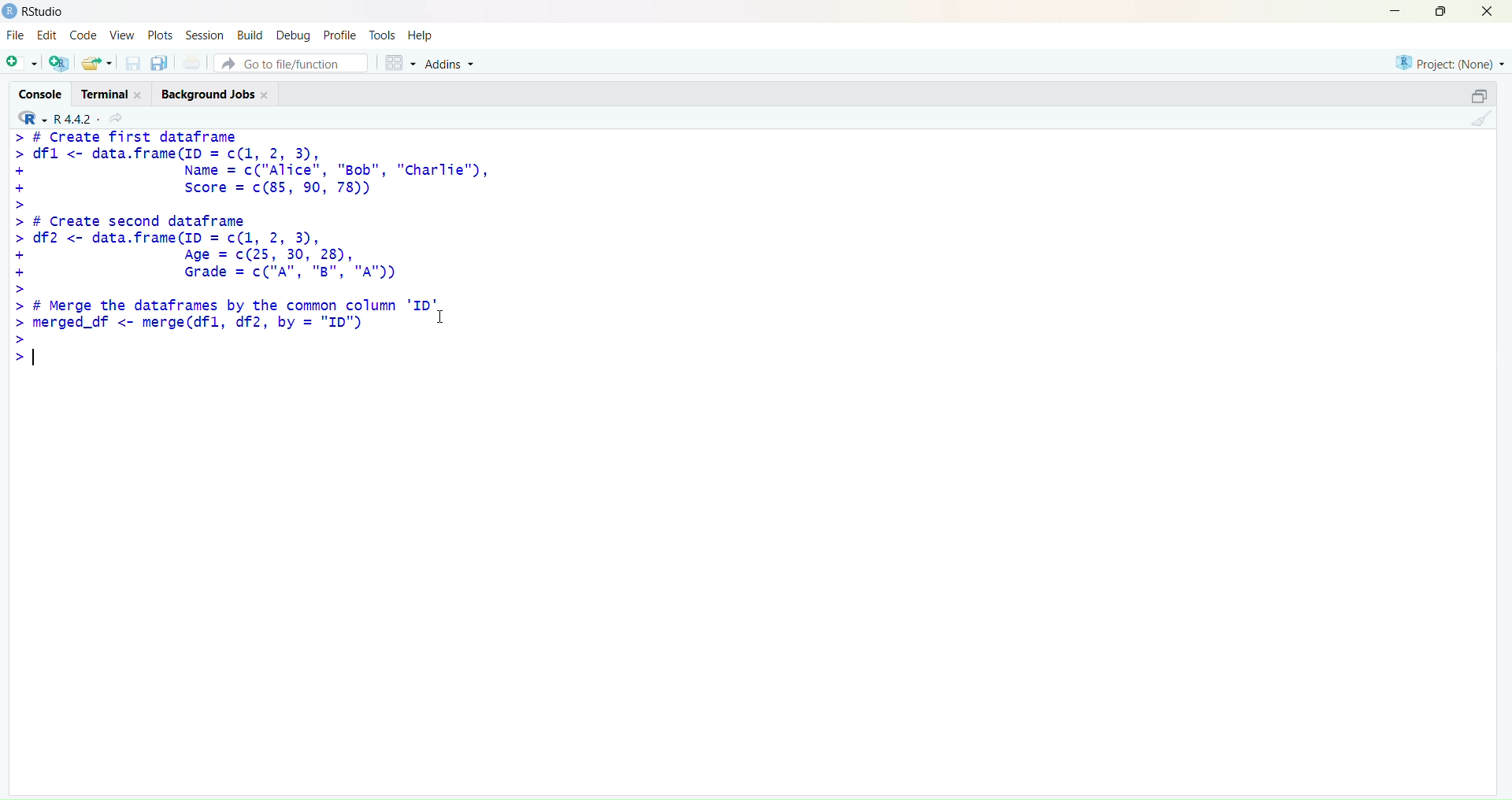 The width and height of the screenshot is (1512, 800). I want to click on Go to file/function, so click(291, 63).